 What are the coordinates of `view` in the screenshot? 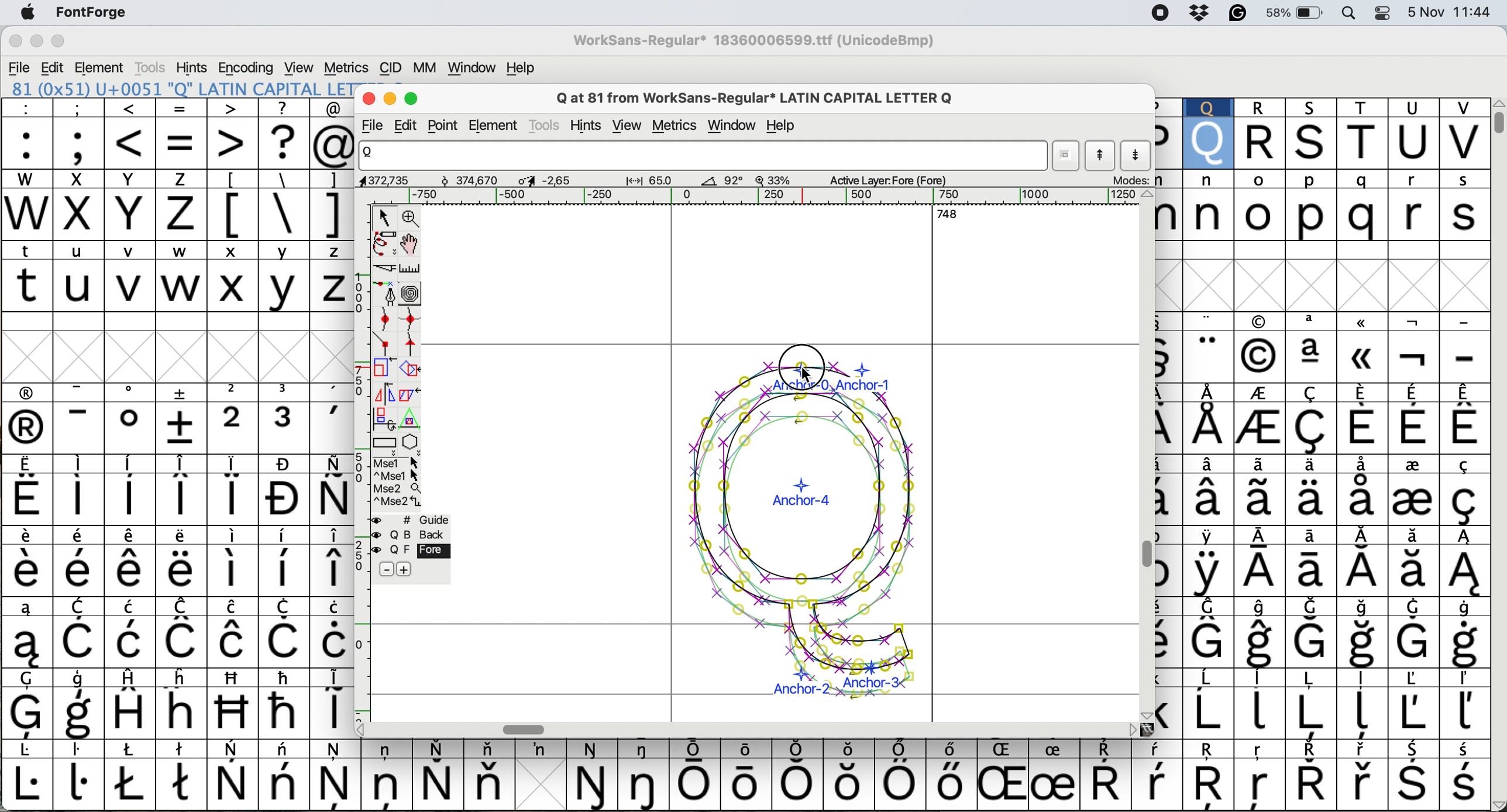 It's located at (302, 67).